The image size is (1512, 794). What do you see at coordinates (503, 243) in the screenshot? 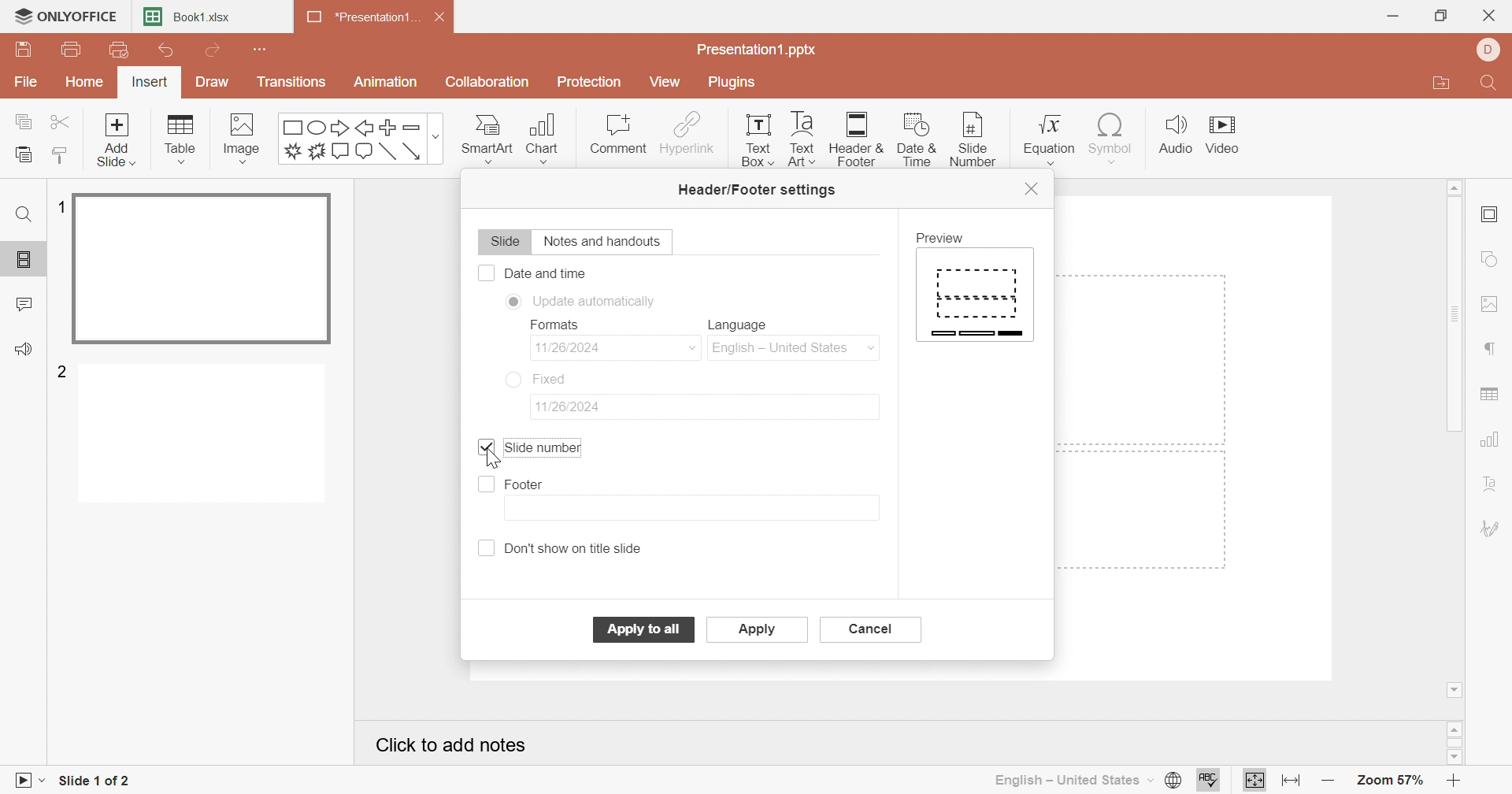
I see `Slide` at bounding box center [503, 243].